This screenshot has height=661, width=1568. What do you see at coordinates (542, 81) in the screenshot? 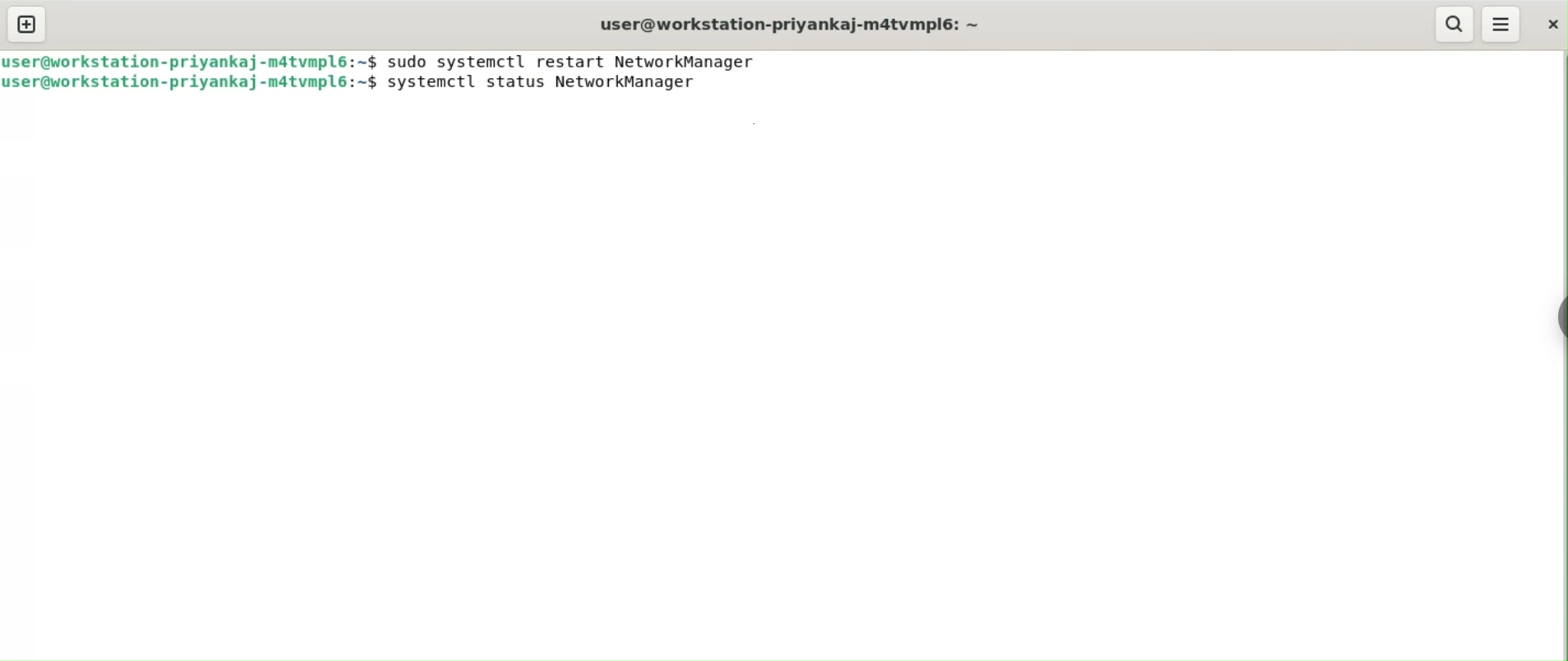
I see `systemctl status NetworkManager` at bounding box center [542, 81].